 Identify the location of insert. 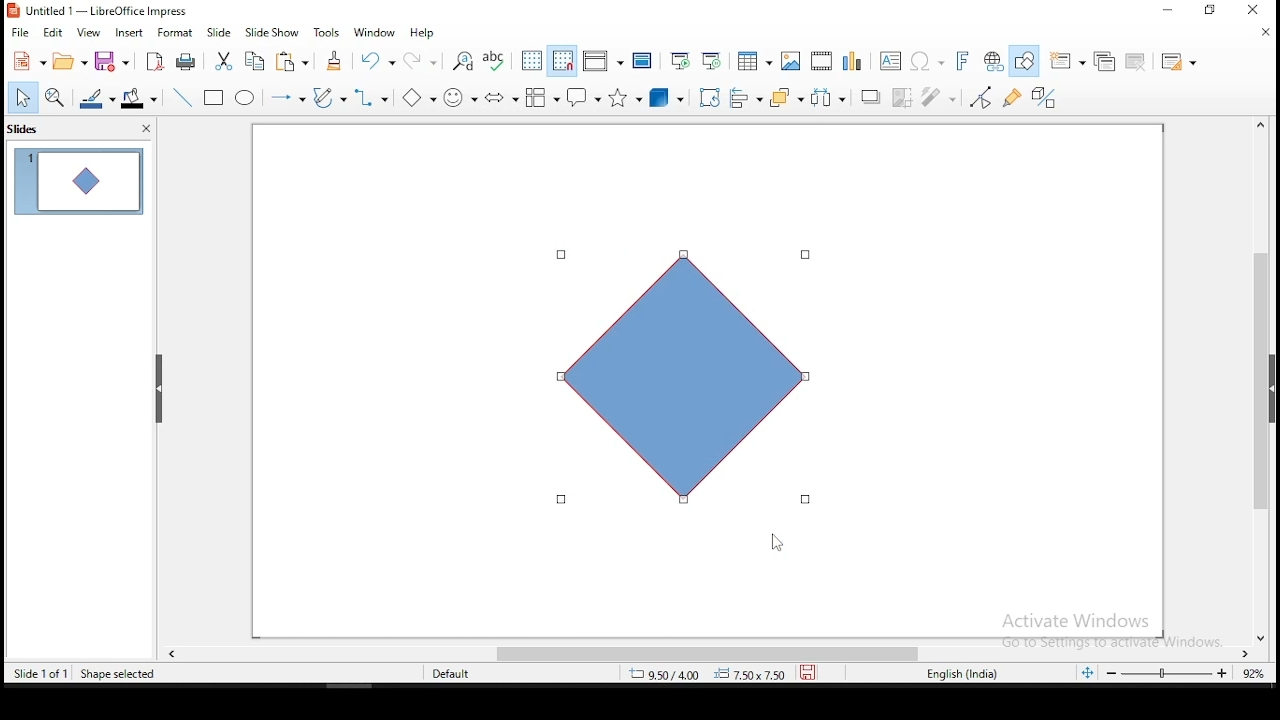
(127, 32).